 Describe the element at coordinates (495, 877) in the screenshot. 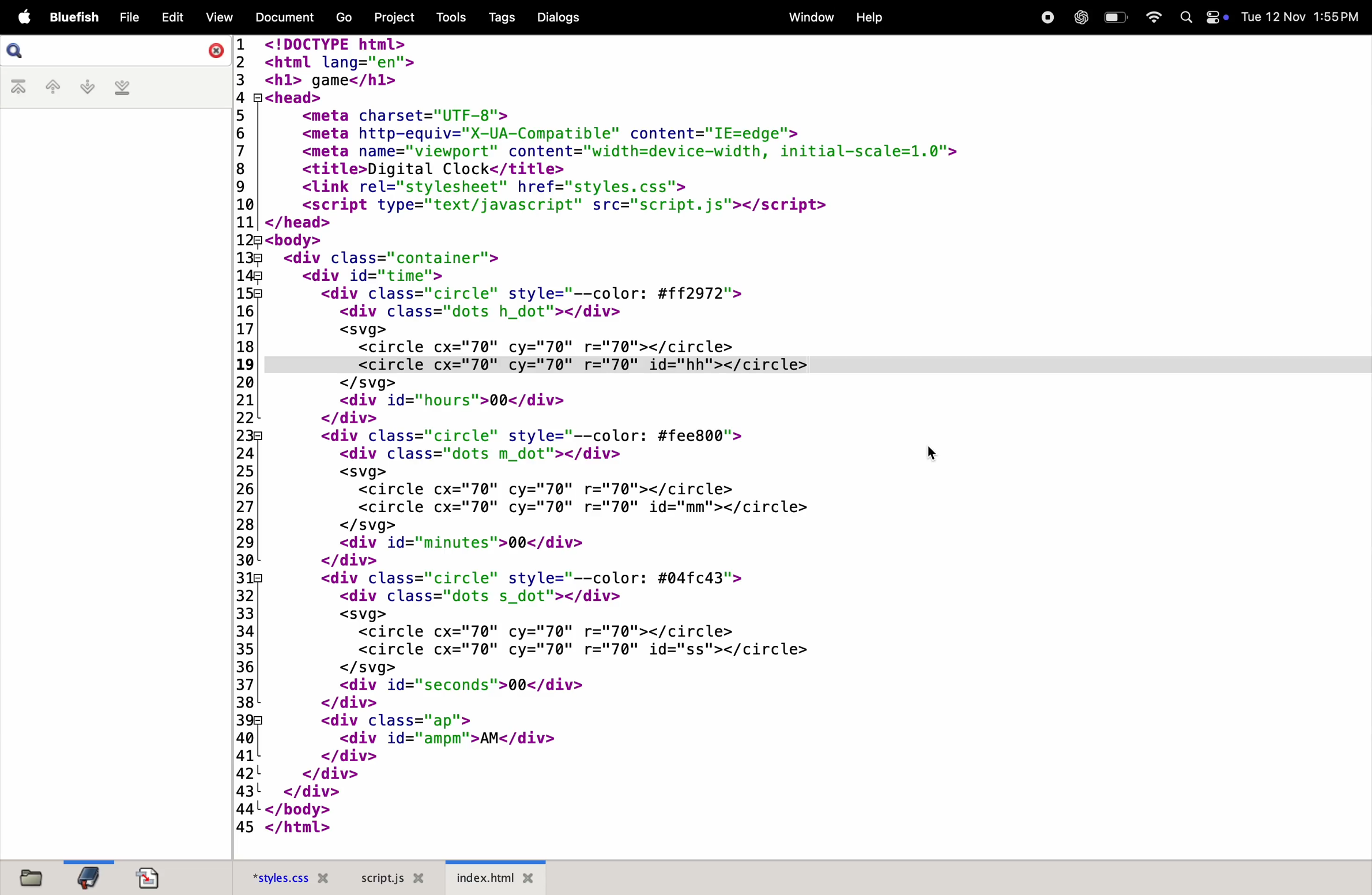

I see `index.html` at that location.